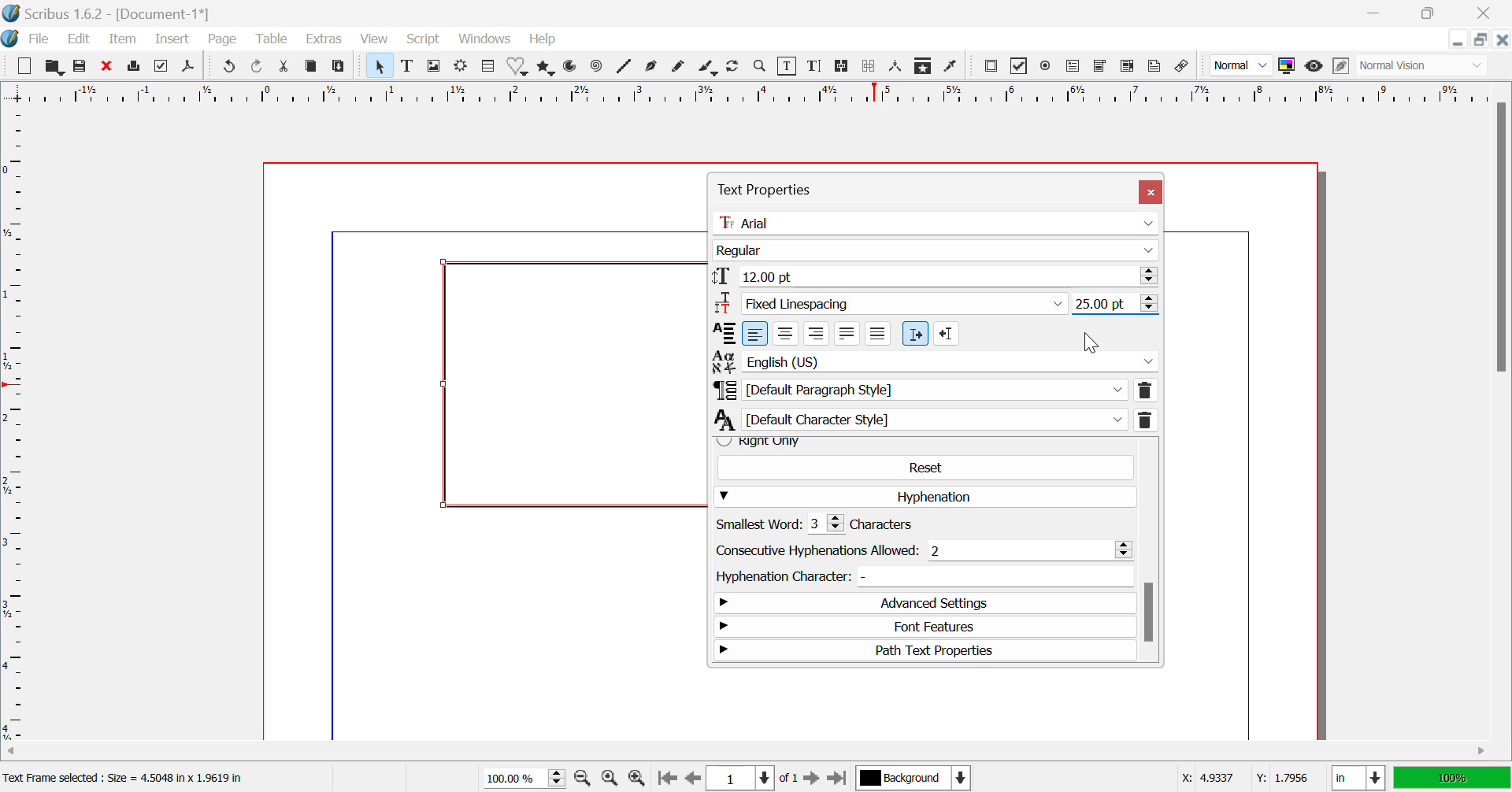 Image resolution: width=1512 pixels, height=792 pixels. I want to click on Save as Pdf, so click(192, 67).